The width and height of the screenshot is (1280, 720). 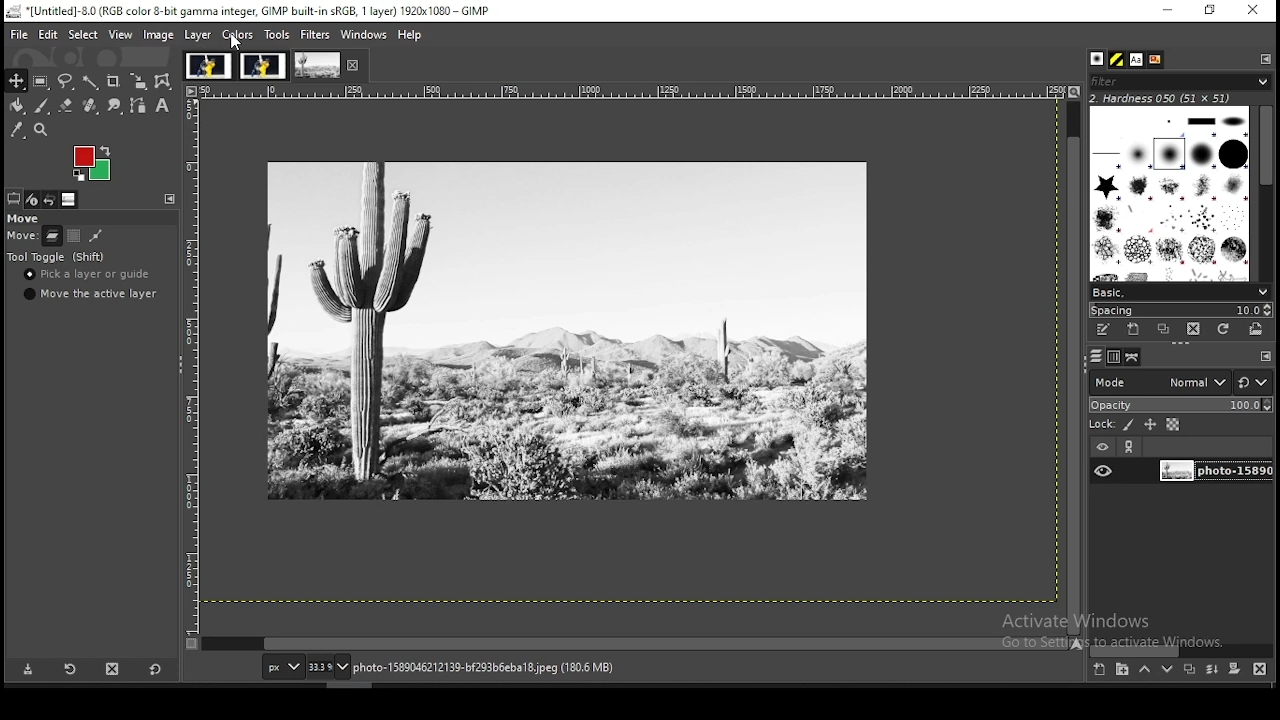 What do you see at coordinates (141, 81) in the screenshot?
I see `scale tool` at bounding box center [141, 81].